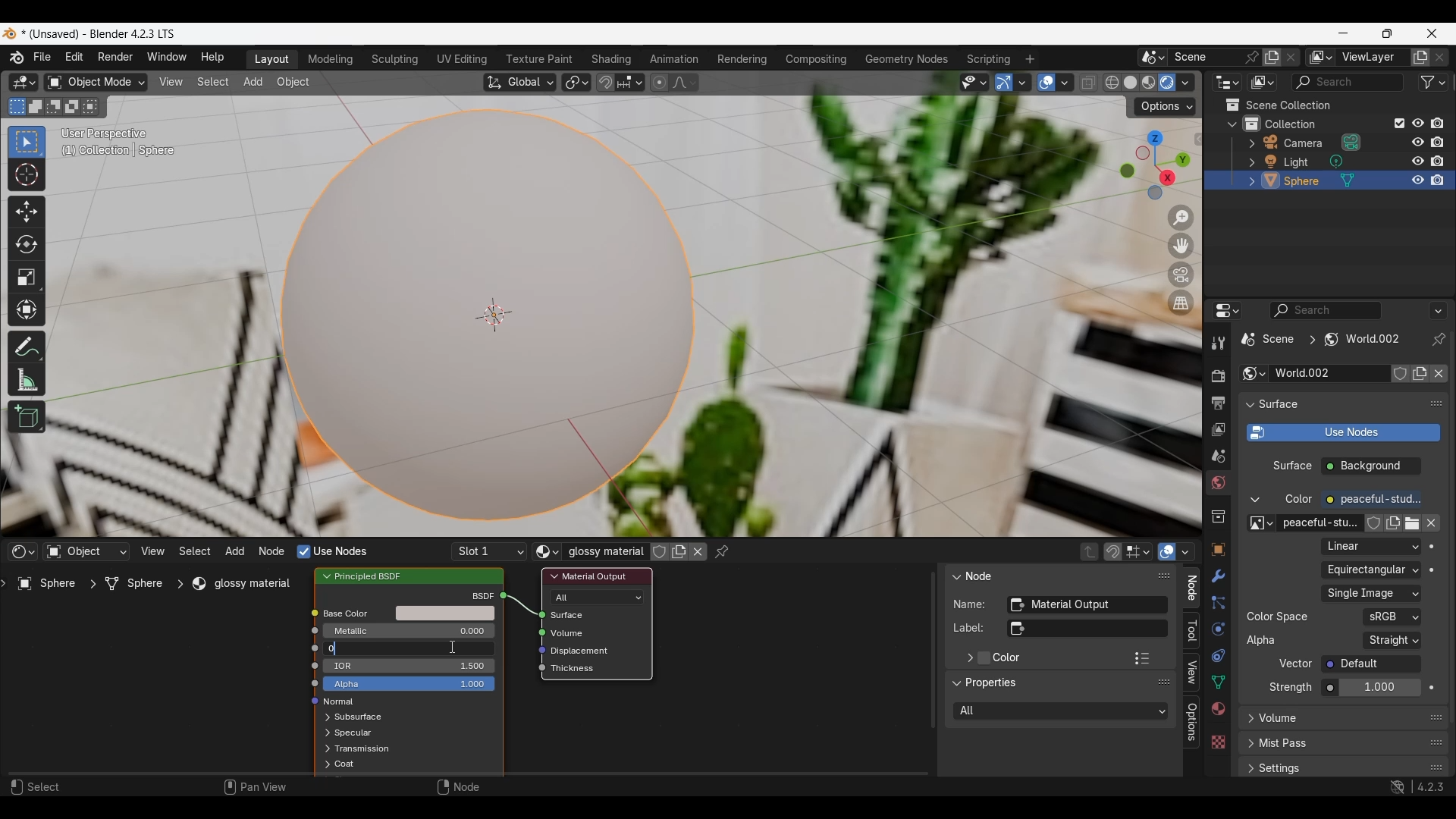 The height and width of the screenshot is (819, 1456). What do you see at coordinates (1296, 664) in the screenshot?
I see `Vector` at bounding box center [1296, 664].